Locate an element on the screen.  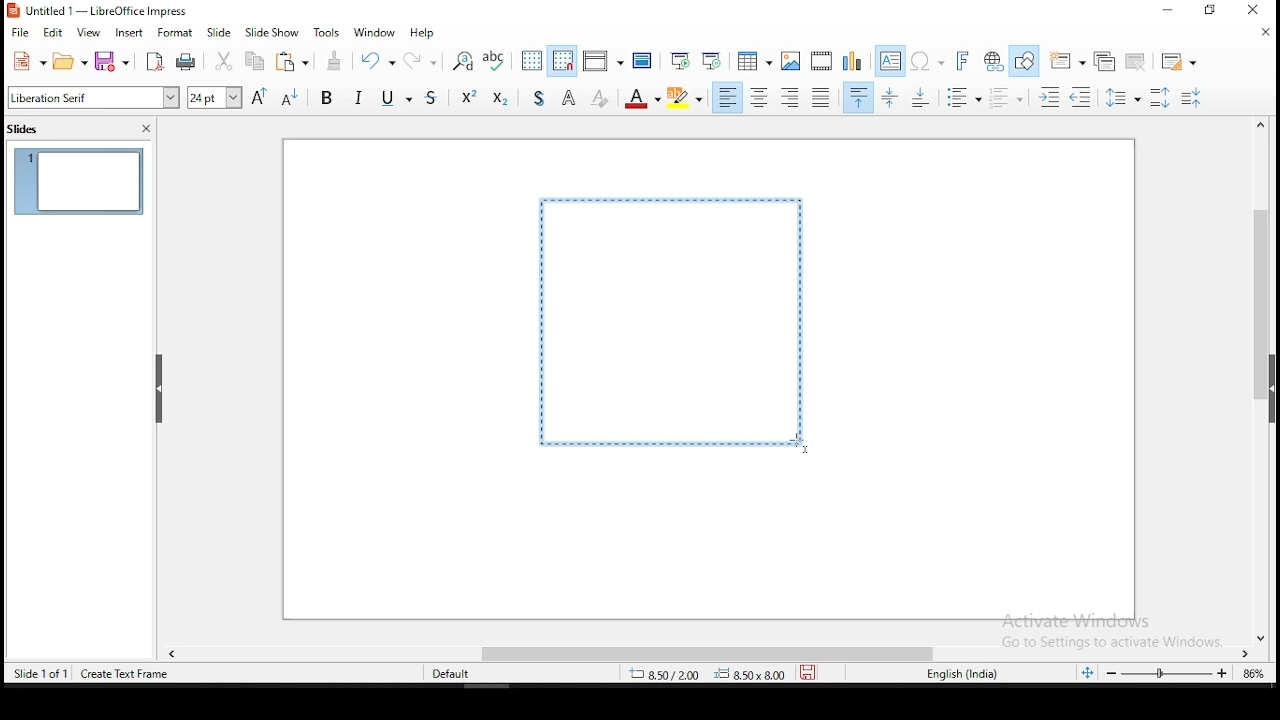
edit is located at coordinates (54, 33).